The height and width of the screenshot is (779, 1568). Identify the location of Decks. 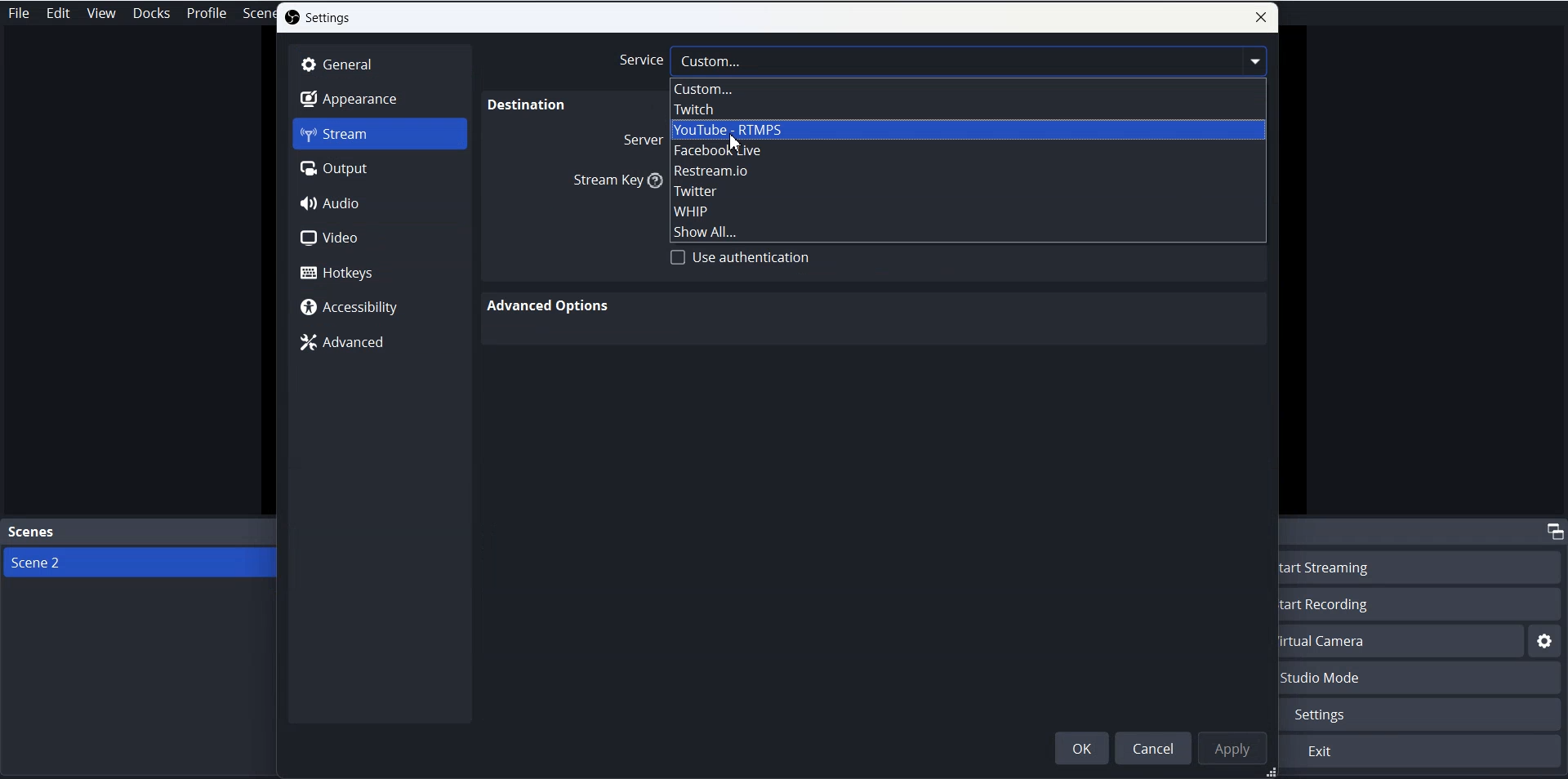
(152, 13).